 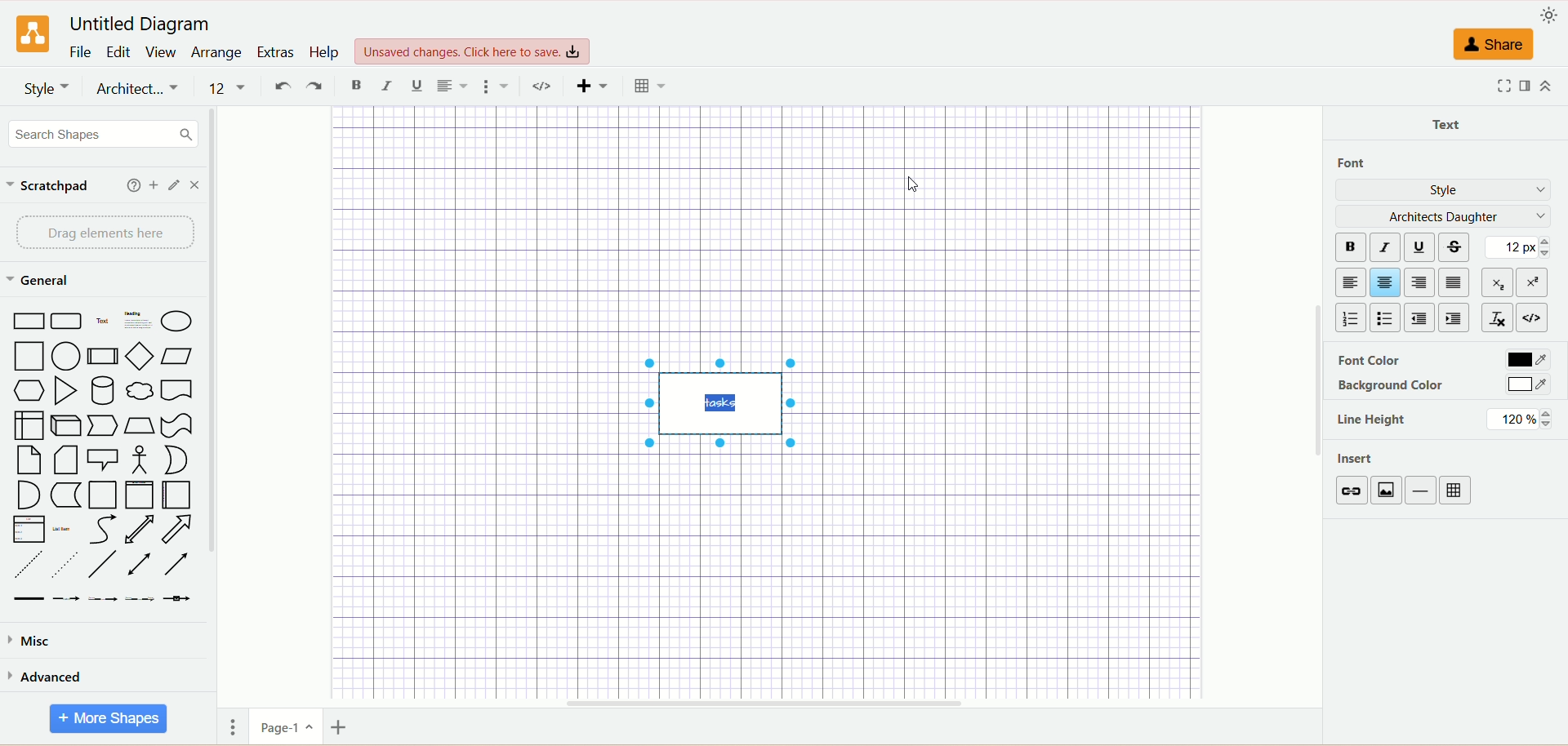 What do you see at coordinates (1497, 316) in the screenshot?
I see `clear formatting` at bounding box center [1497, 316].